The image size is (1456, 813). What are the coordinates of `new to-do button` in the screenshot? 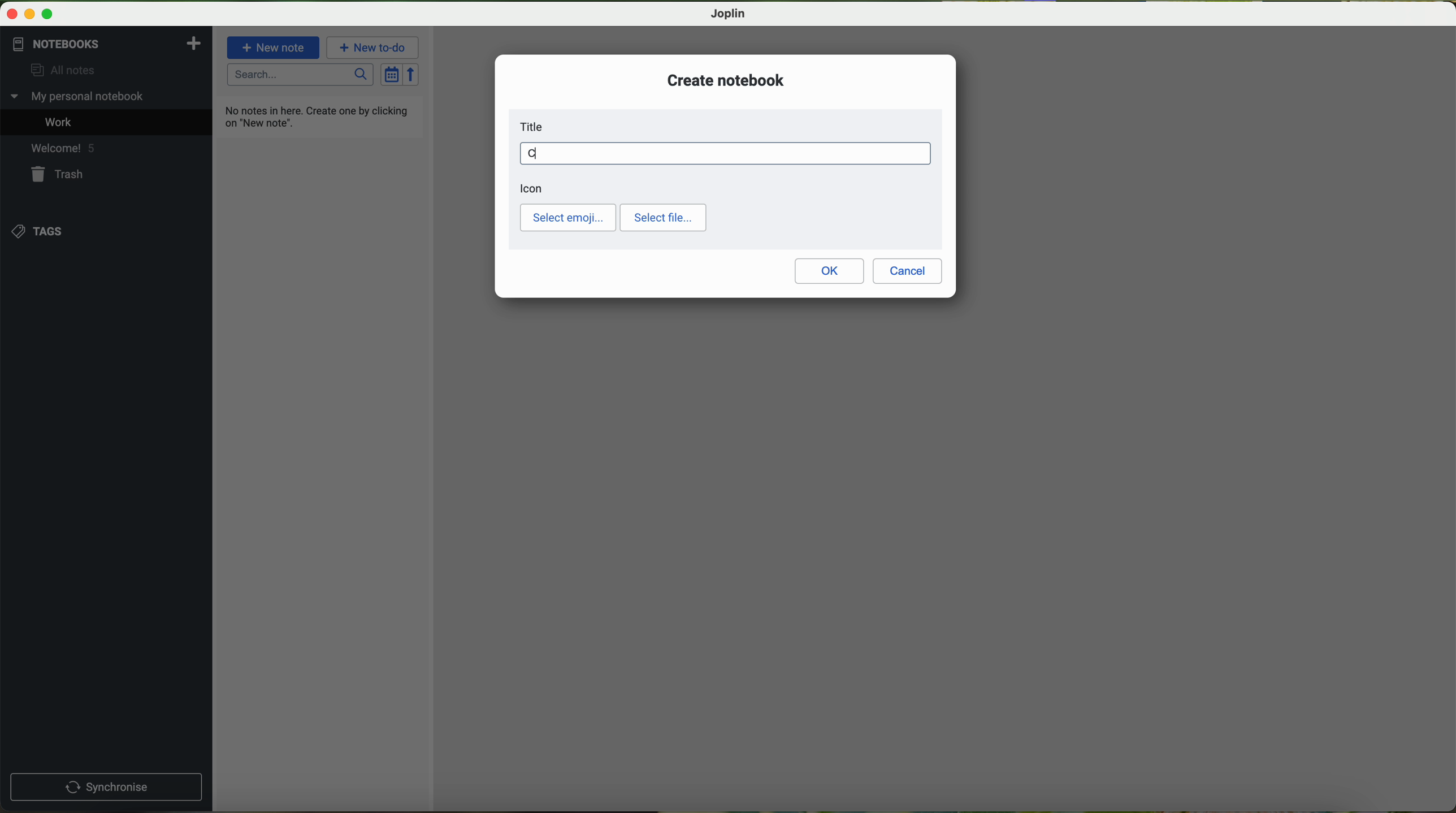 It's located at (374, 47).